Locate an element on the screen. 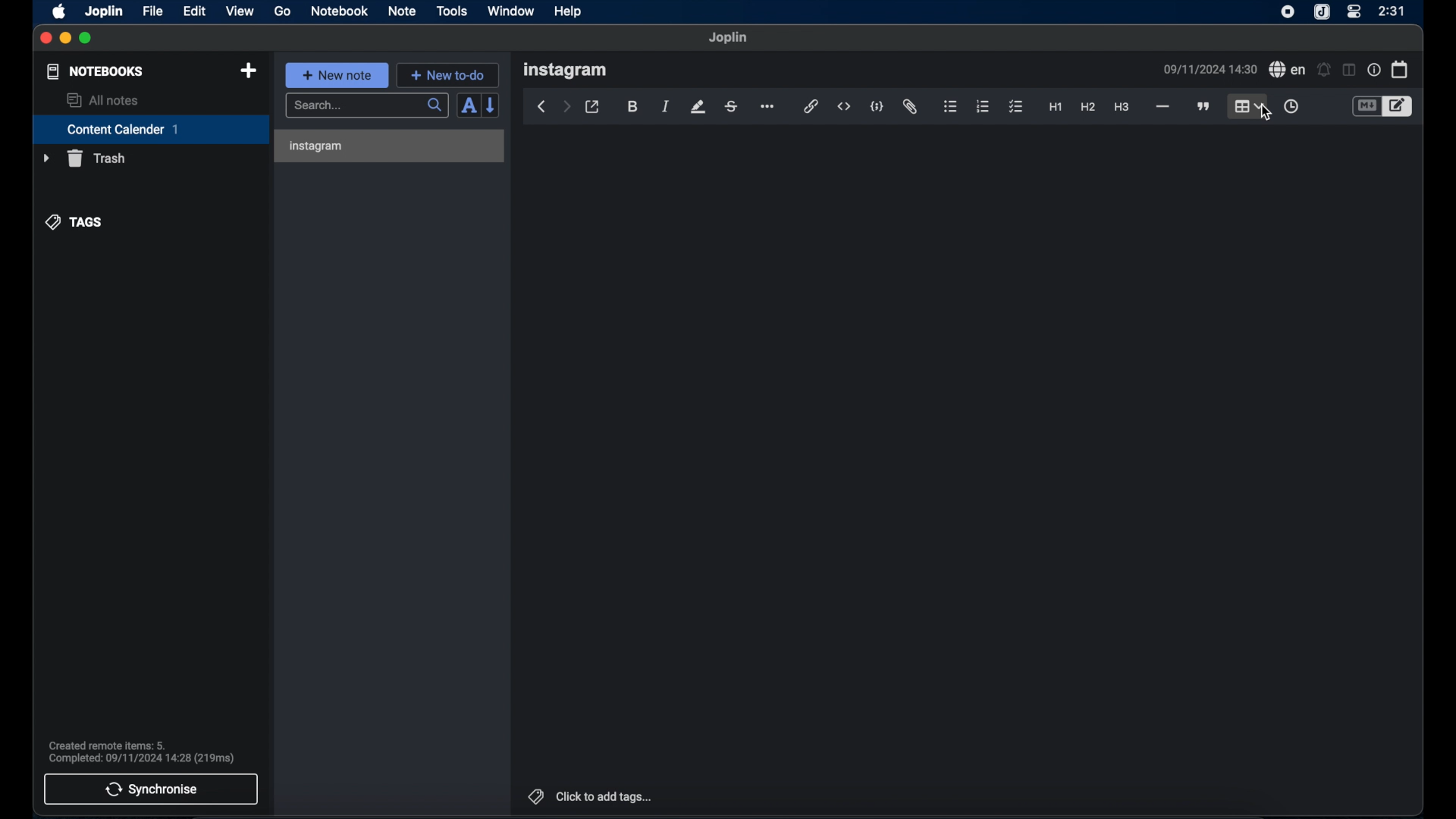 This screenshot has height=819, width=1456. note is located at coordinates (402, 12).